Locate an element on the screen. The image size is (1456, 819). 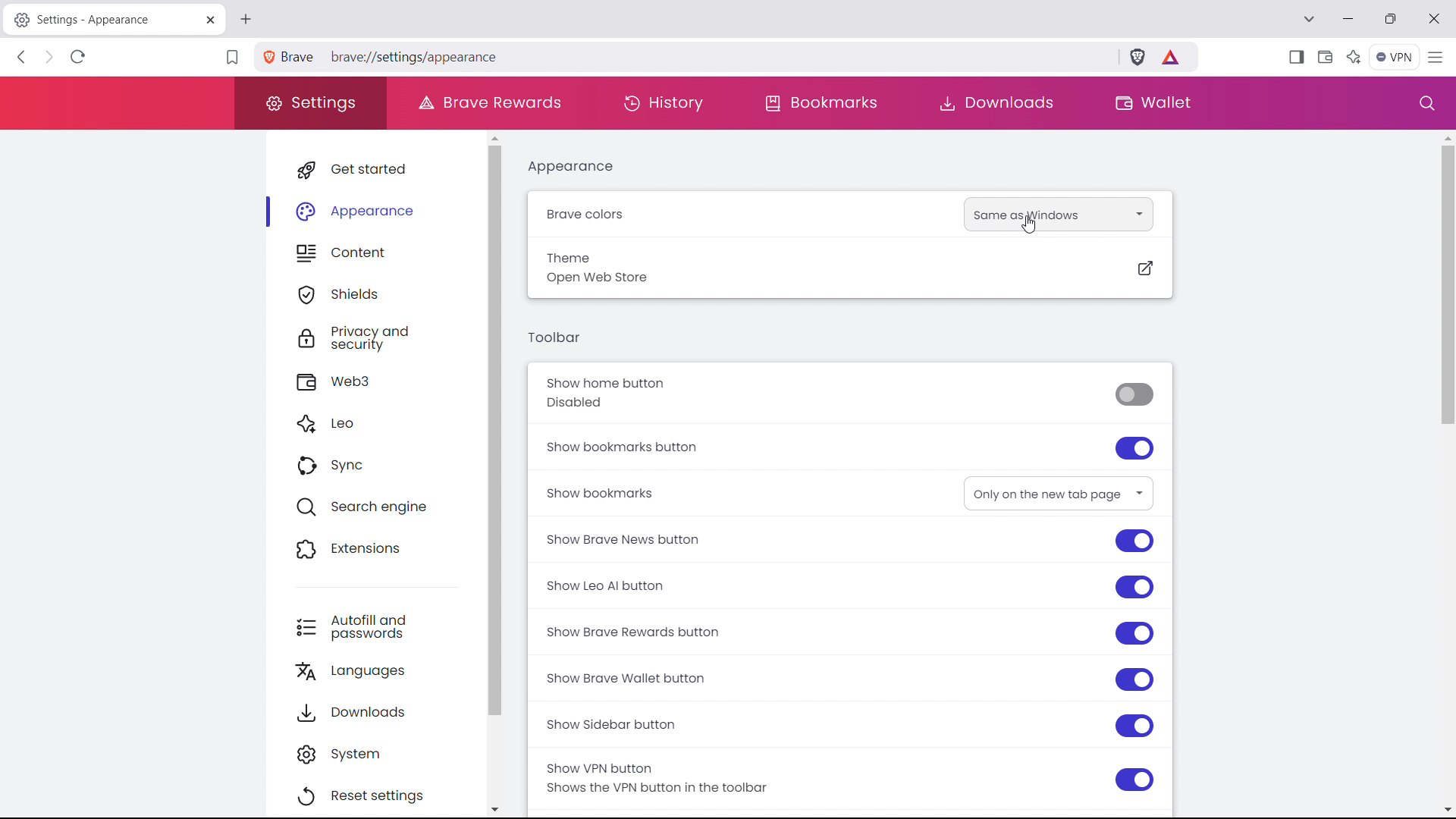
bookmarks is located at coordinates (824, 104).